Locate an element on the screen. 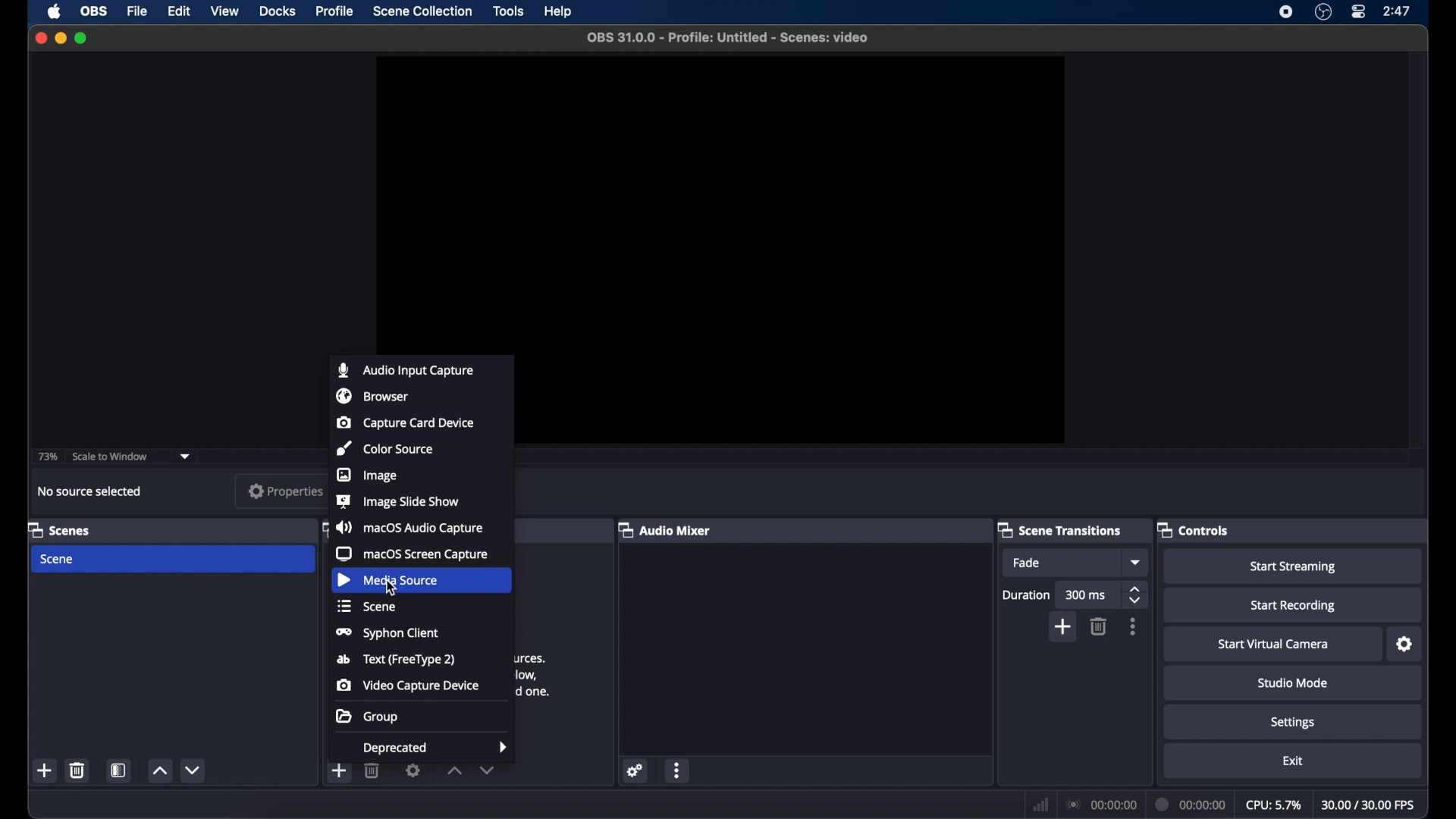  settings is located at coordinates (1404, 645).